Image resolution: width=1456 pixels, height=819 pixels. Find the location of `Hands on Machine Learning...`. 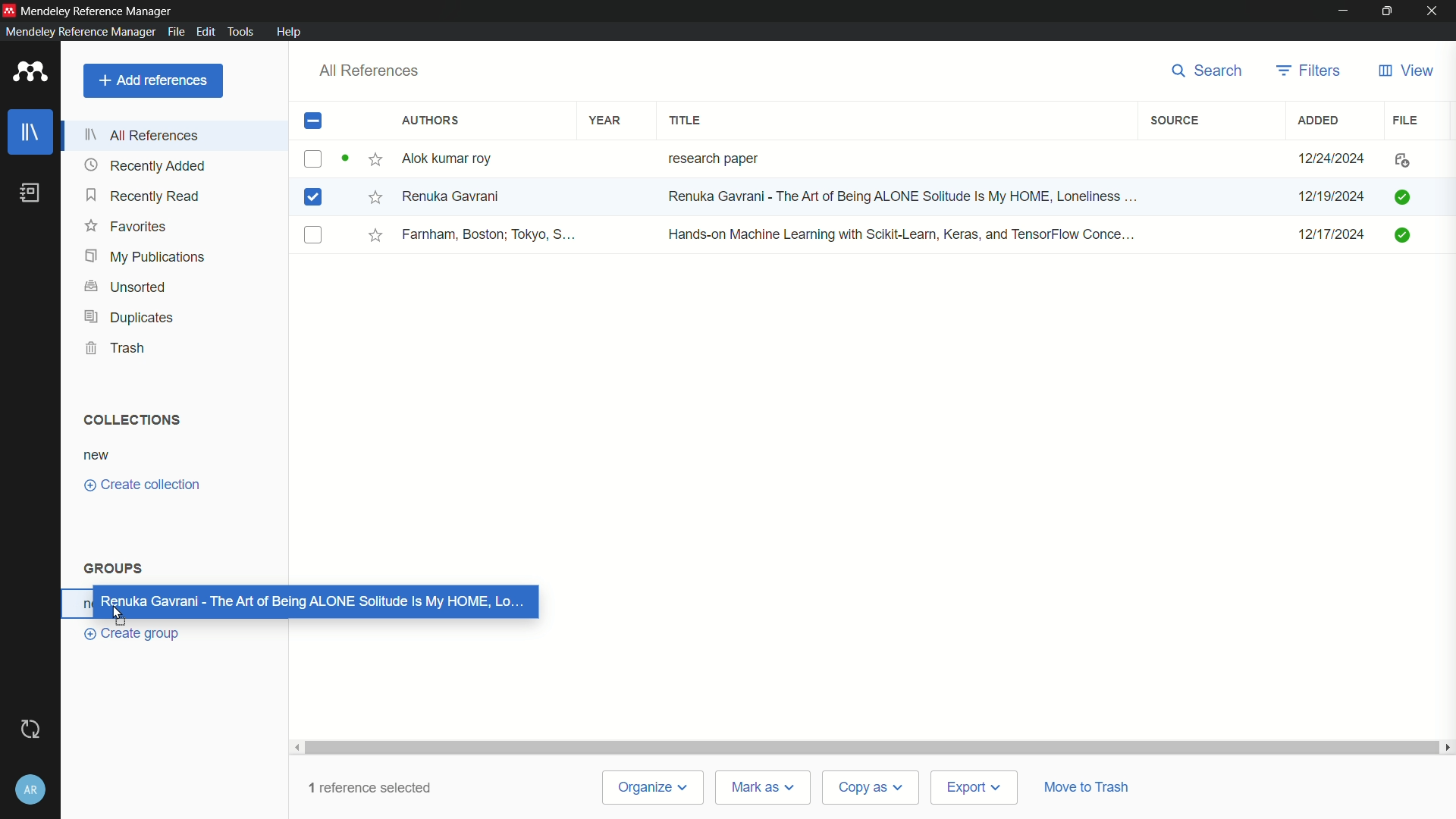

Hands on Machine Learning... is located at coordinates (898, 233).